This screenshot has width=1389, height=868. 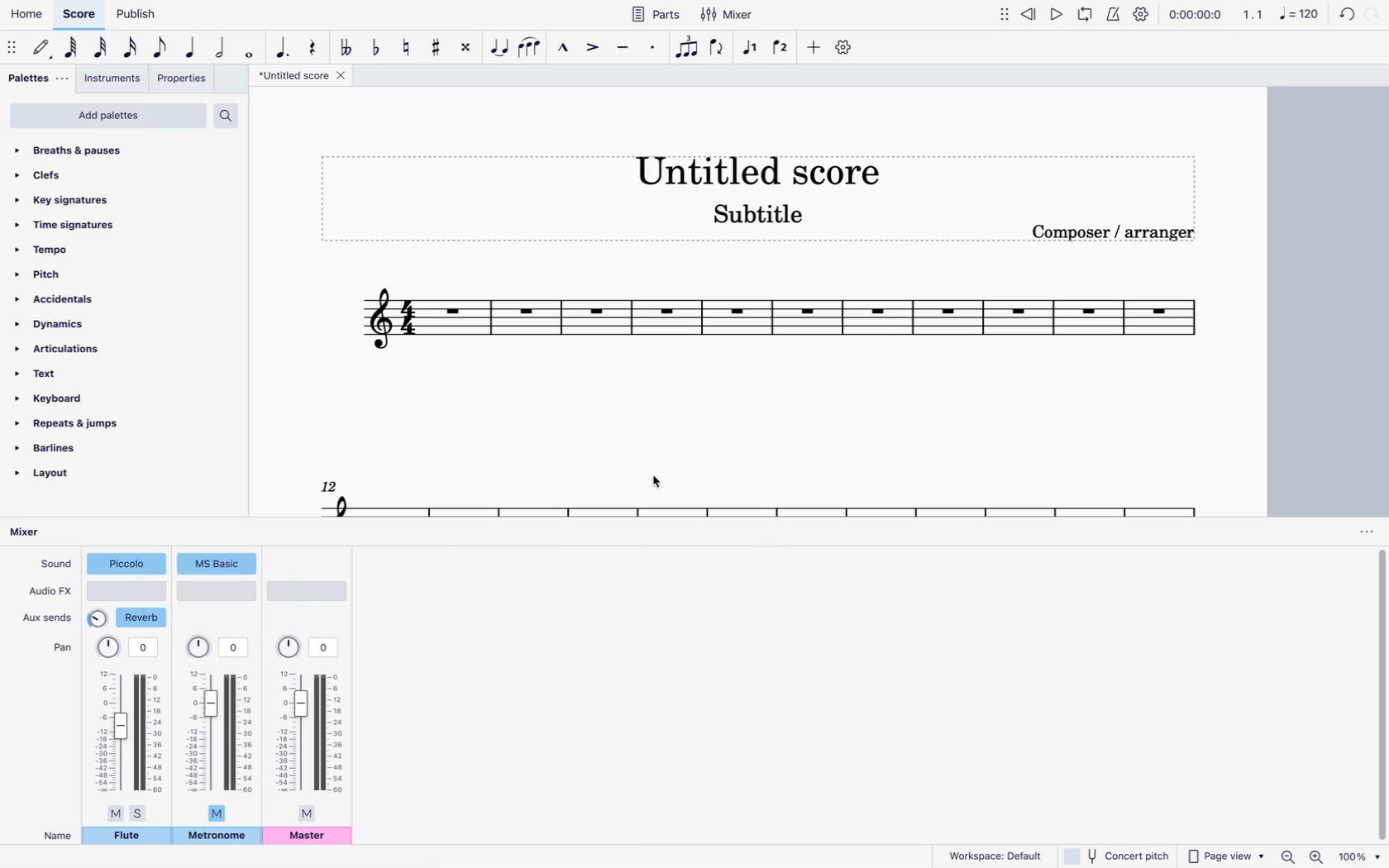 I want to click on pan, so click(x=308, y=728).